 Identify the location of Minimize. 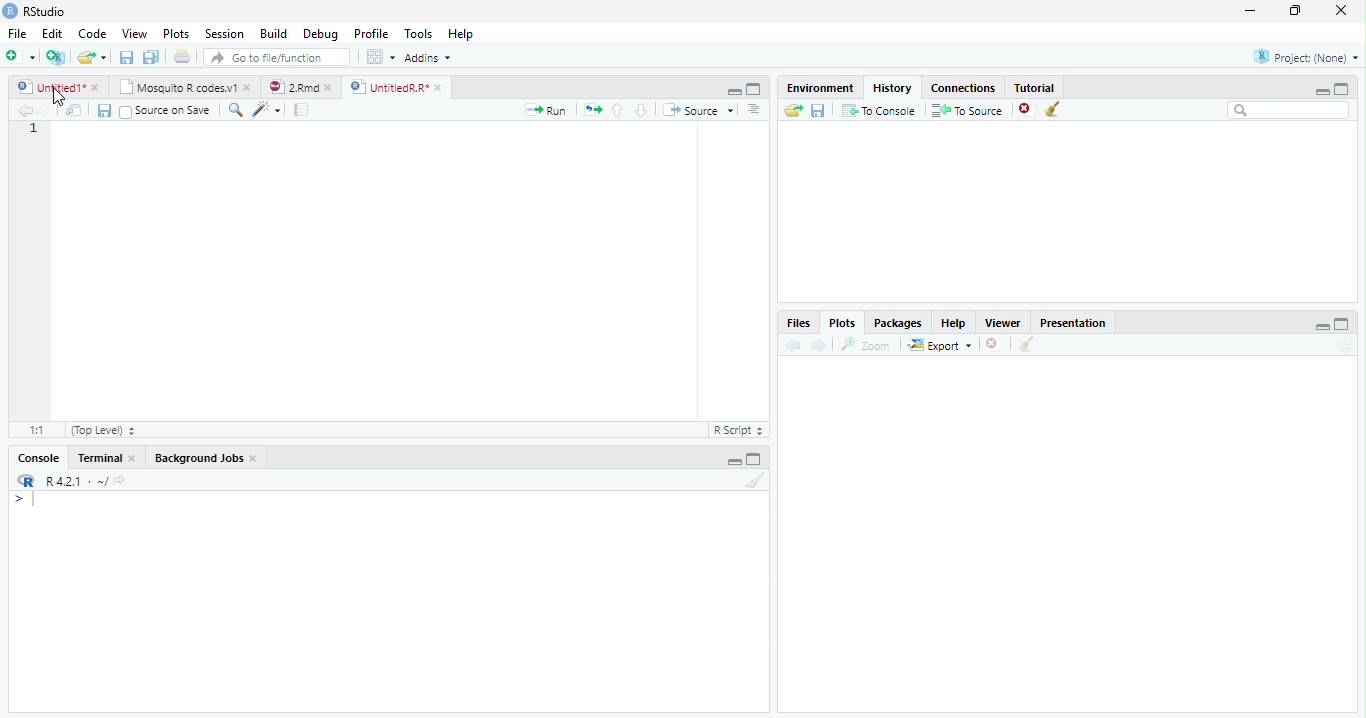
(731, 90).